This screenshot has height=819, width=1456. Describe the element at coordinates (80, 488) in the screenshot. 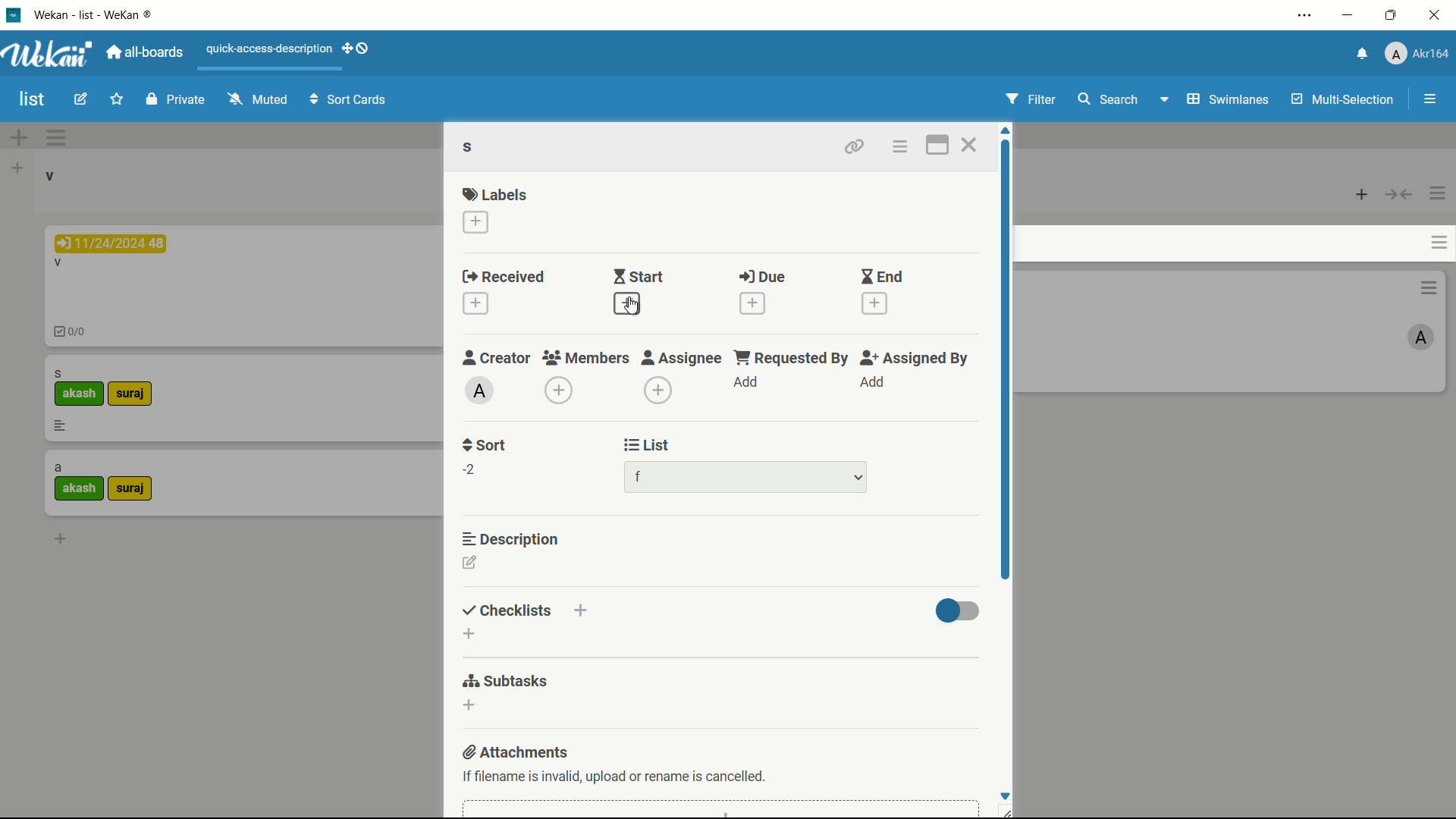

I see `label-1` at that location.